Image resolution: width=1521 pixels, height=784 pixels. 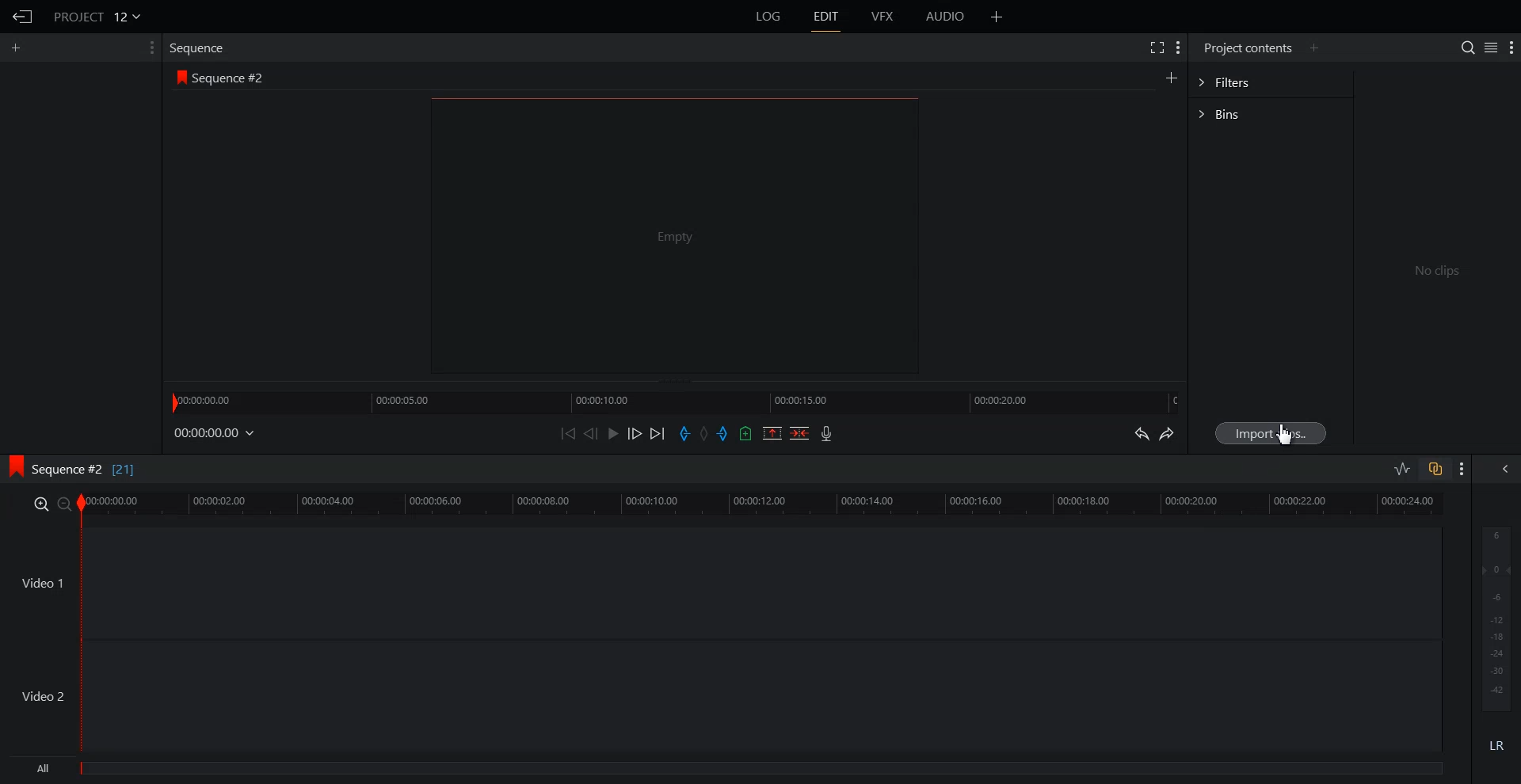 What do you see at coordinates (1504, 469) in the screenshot?
I see `Show All audio menu` at bounding box center [1504, 469].